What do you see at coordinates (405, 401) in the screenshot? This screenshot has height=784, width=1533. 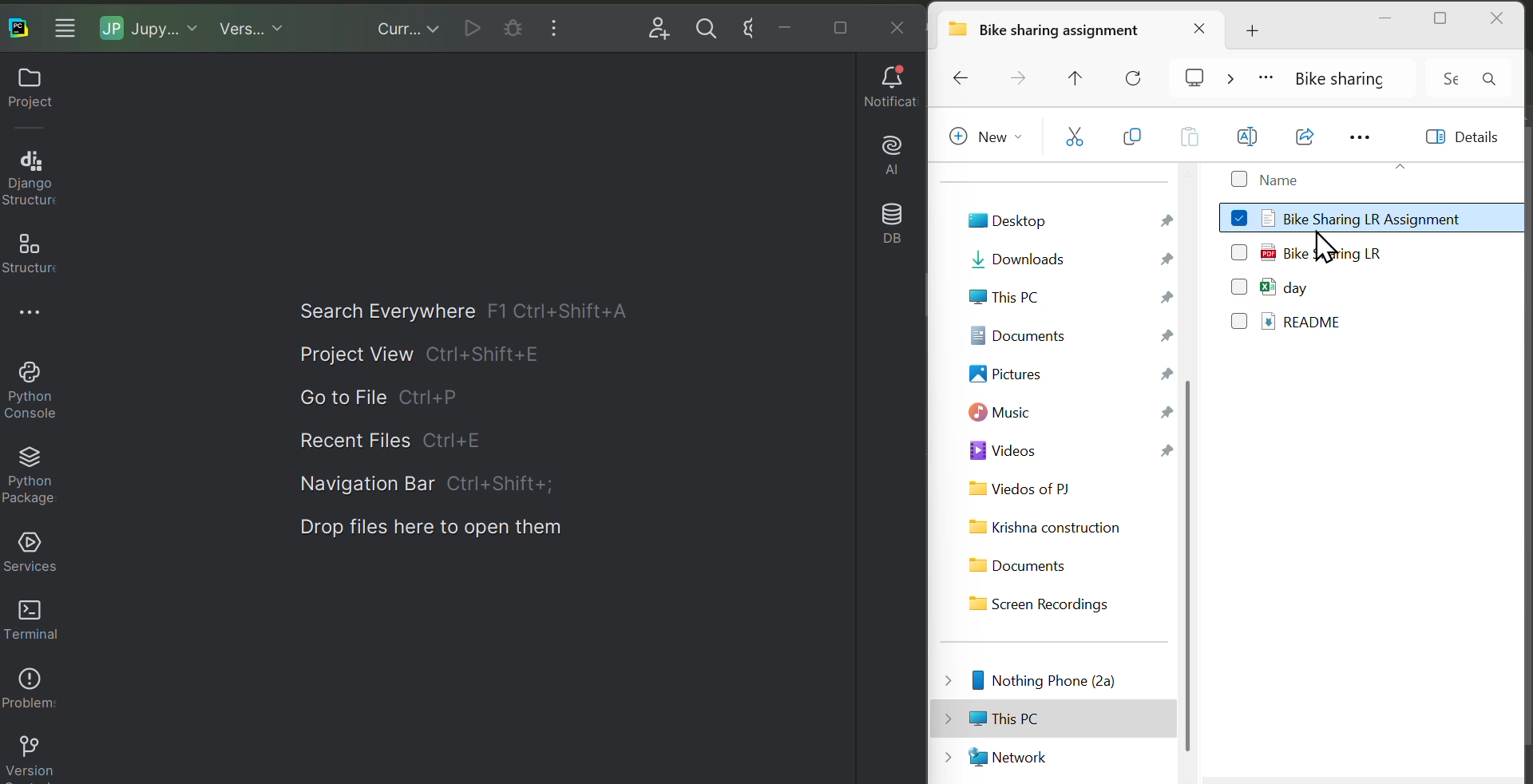 I see `Go to file` at bounding box center [405, 401].